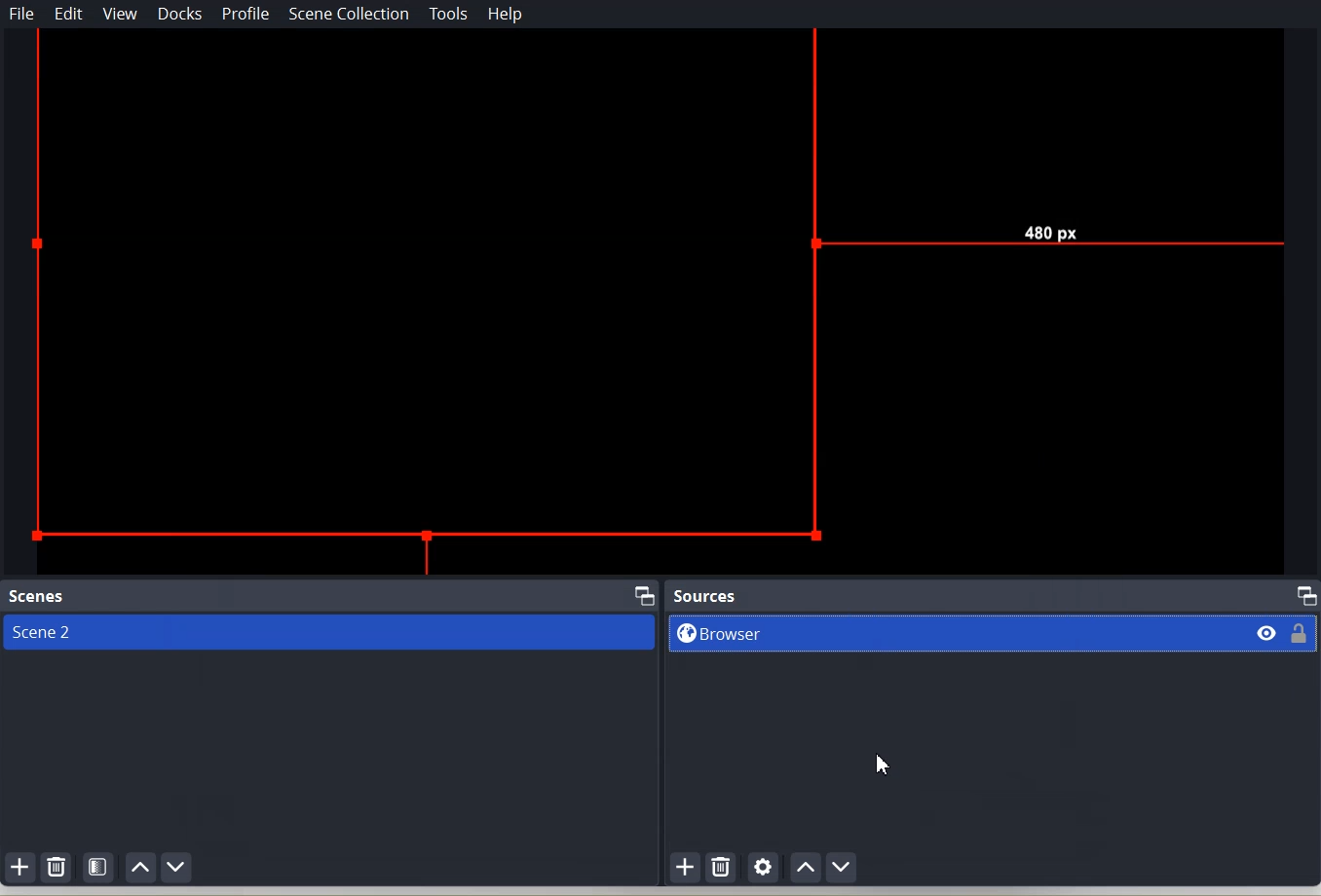 Image resolution: width=1321 pixels, height=896 pixels. I want to click on Open Source Properties, so click(763, 868).